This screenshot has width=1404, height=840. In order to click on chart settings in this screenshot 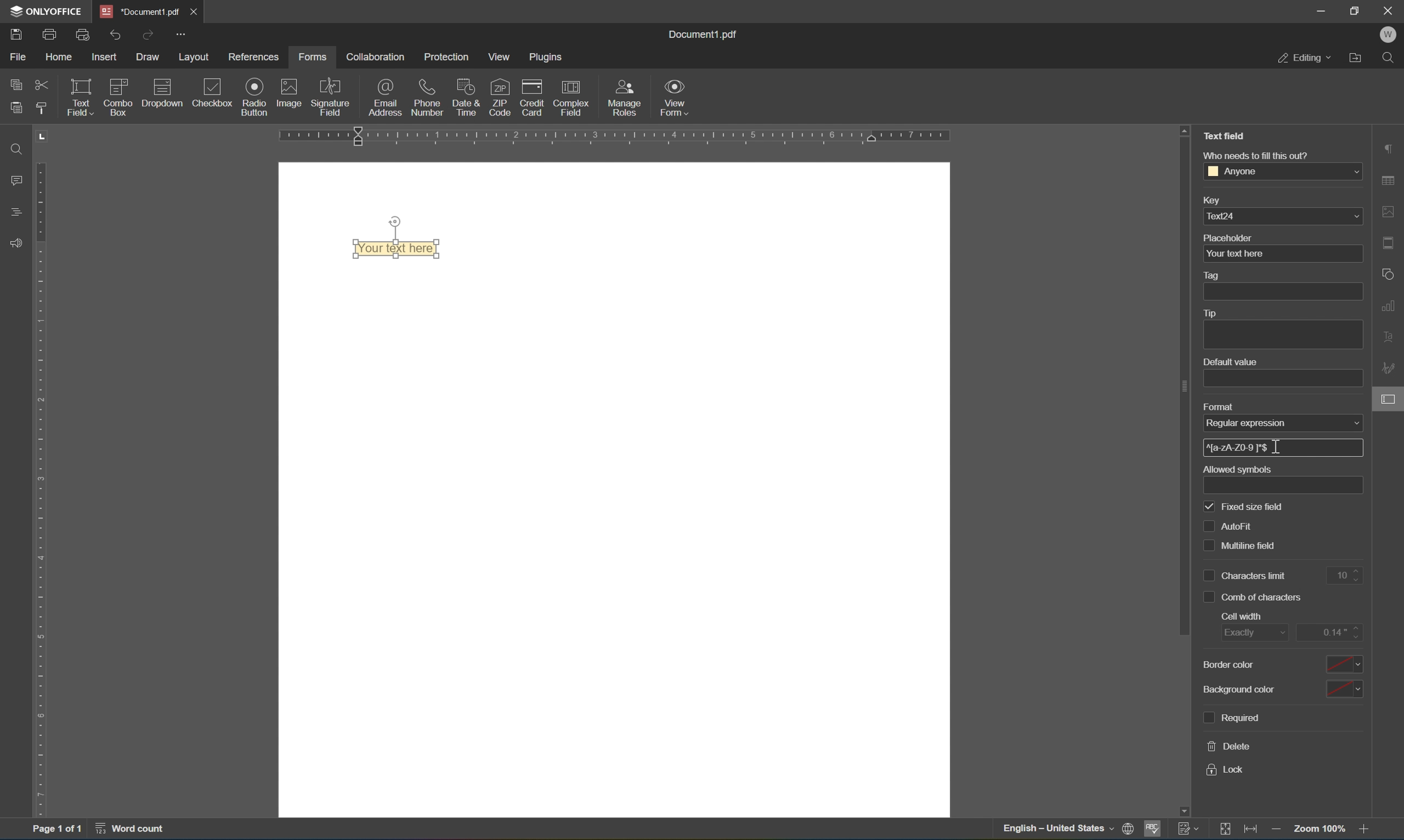, I will do `click(1390, 303)`.